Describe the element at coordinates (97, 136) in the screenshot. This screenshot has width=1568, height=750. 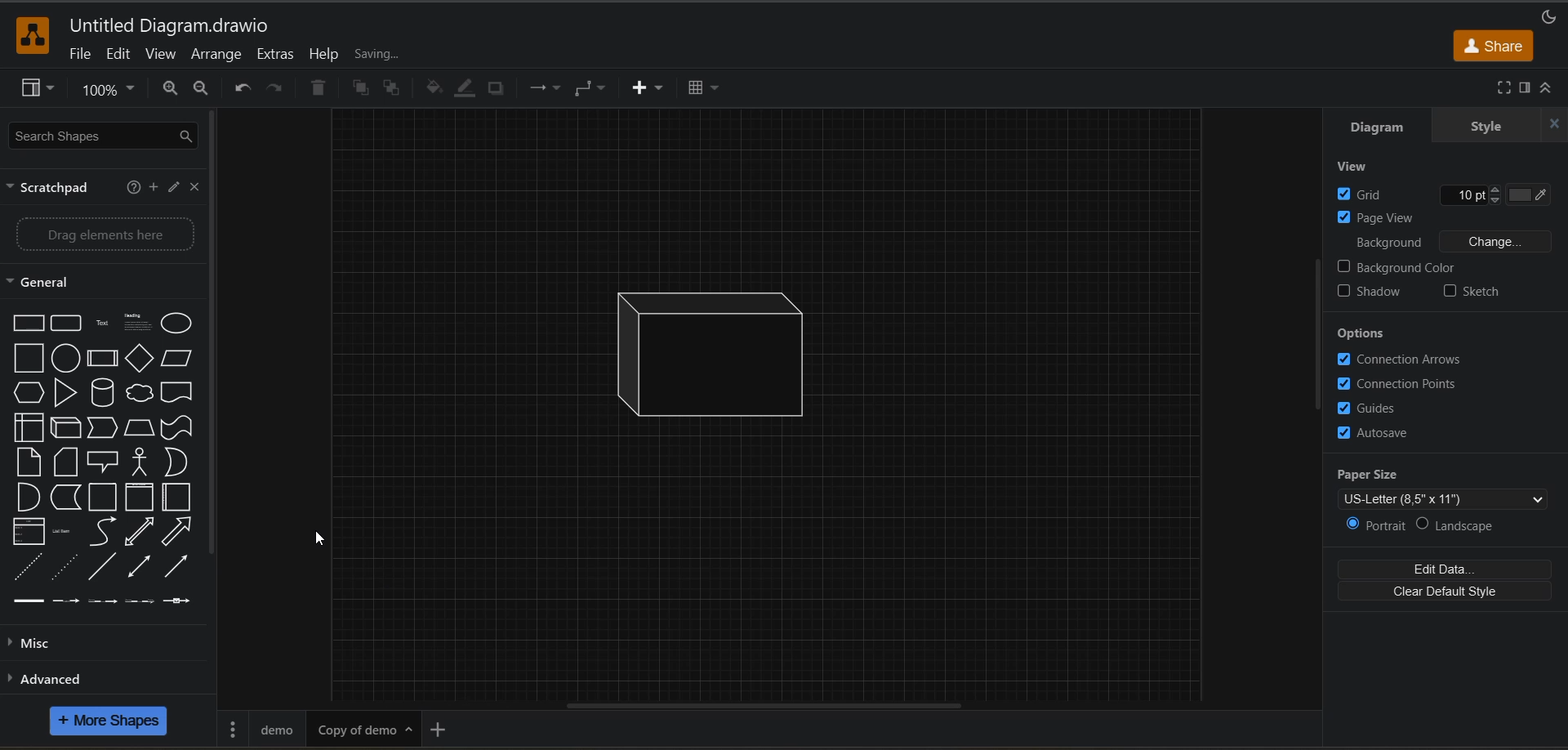
I see `search shapes` at that location.